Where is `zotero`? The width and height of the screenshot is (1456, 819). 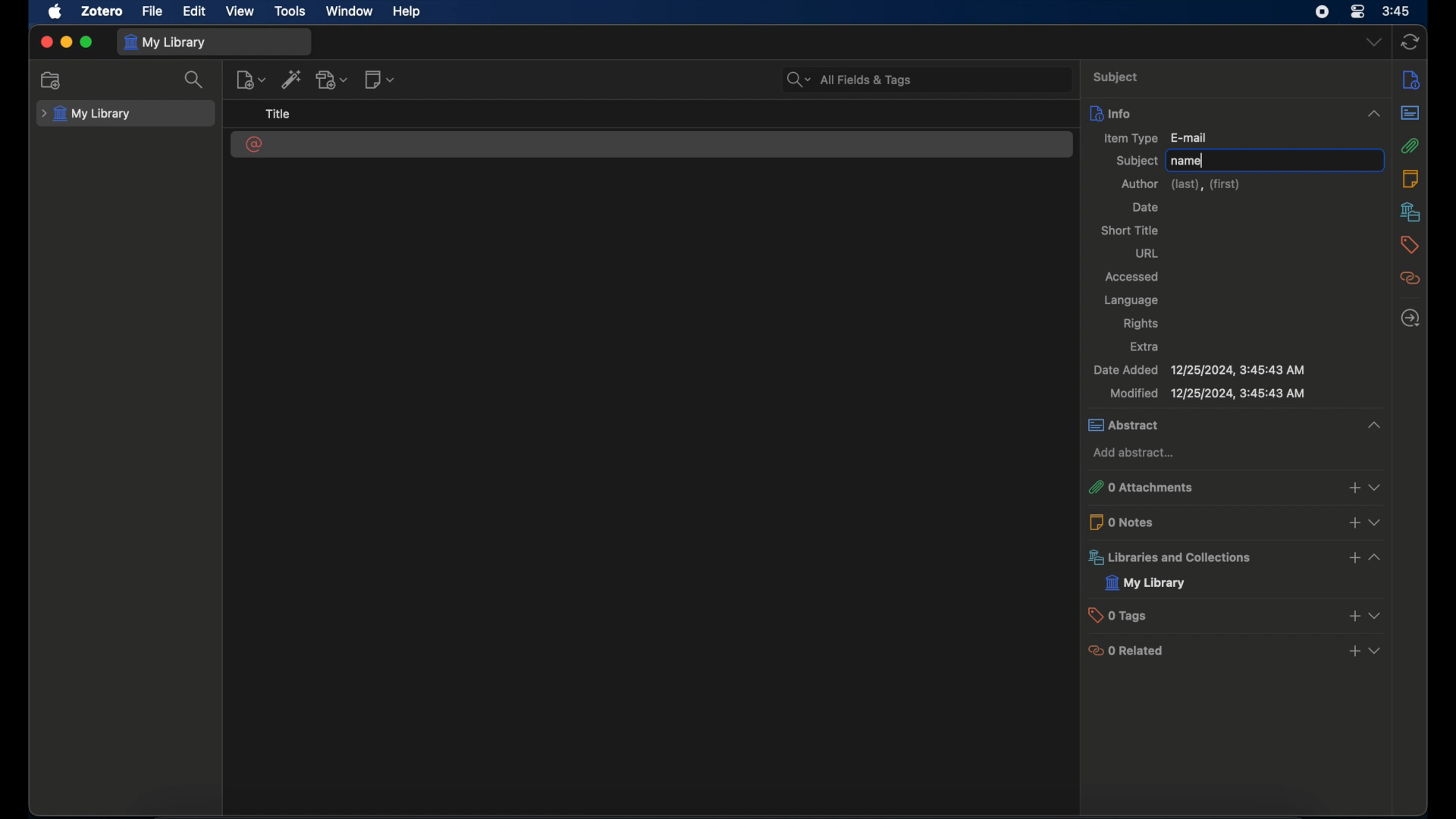 zotero is located at coordinates (100, 11).